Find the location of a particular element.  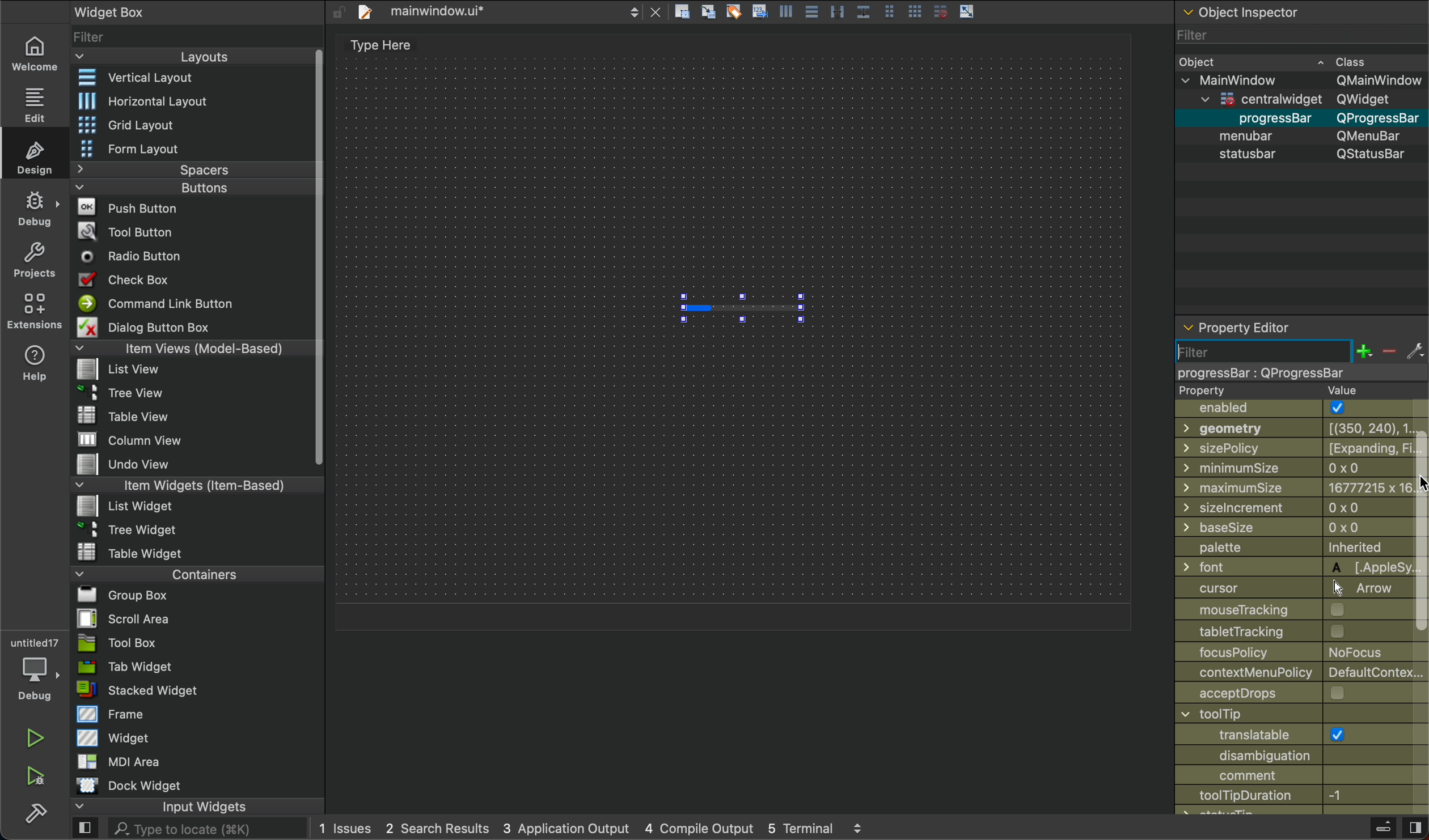

File is located at coordinates (131, 528).